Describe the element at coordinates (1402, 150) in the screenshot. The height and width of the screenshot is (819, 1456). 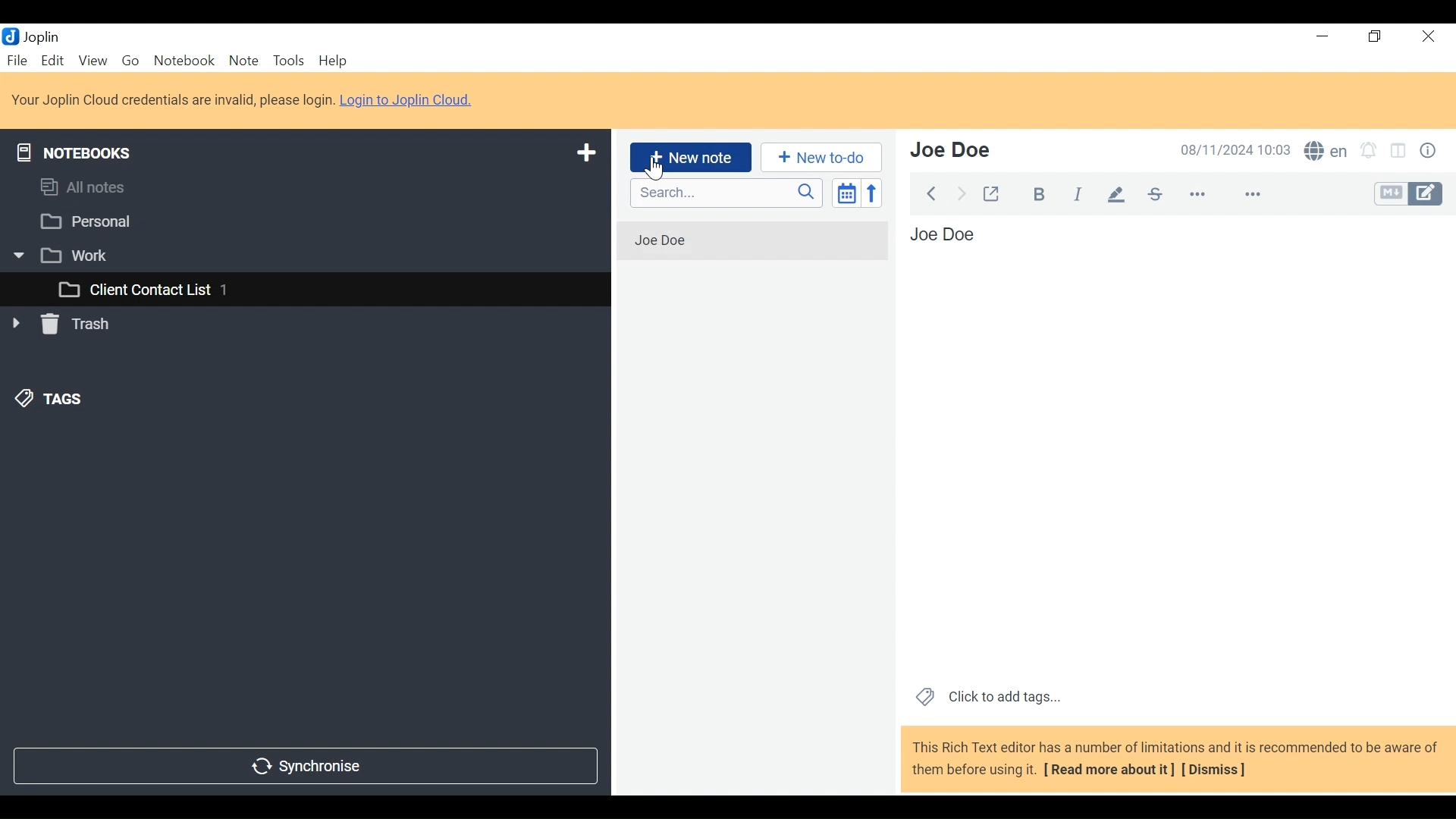
I see `Toggle editor layout` at that location.